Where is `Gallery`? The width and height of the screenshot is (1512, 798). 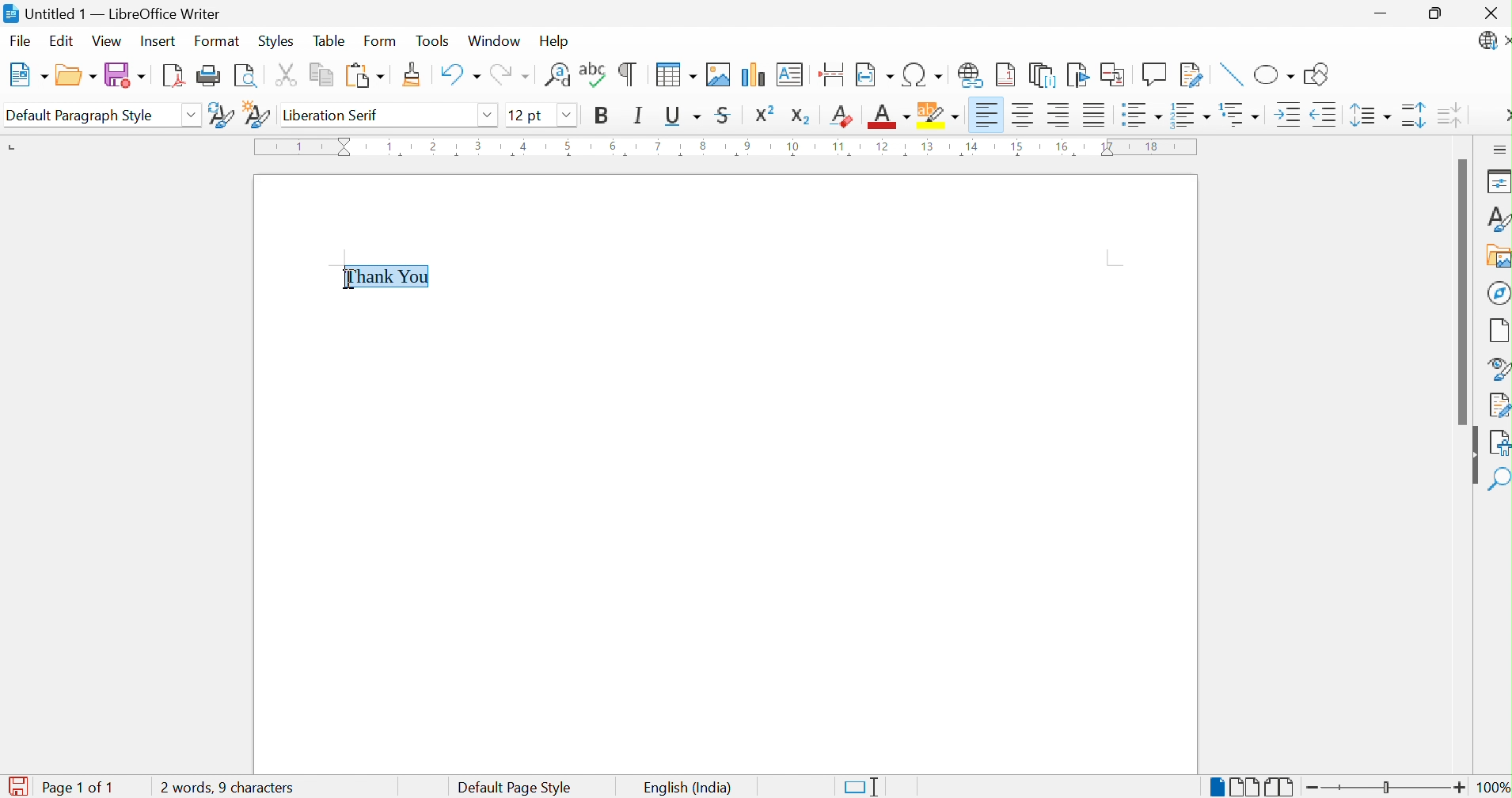 Gallery is located at coordinates (1495, 255).